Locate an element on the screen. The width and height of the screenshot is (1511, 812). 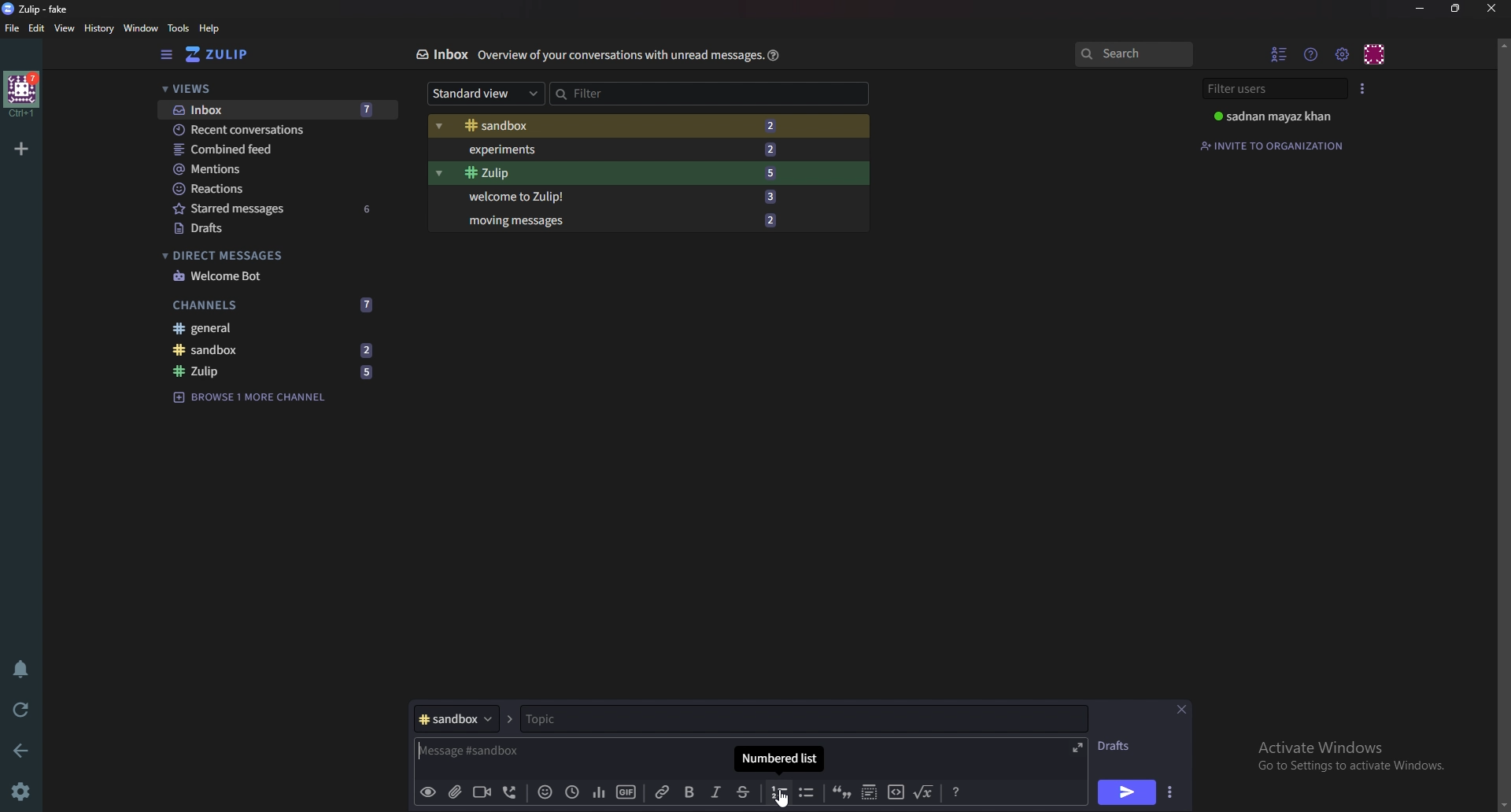
Starred messages is located at coordinates (275, 209).